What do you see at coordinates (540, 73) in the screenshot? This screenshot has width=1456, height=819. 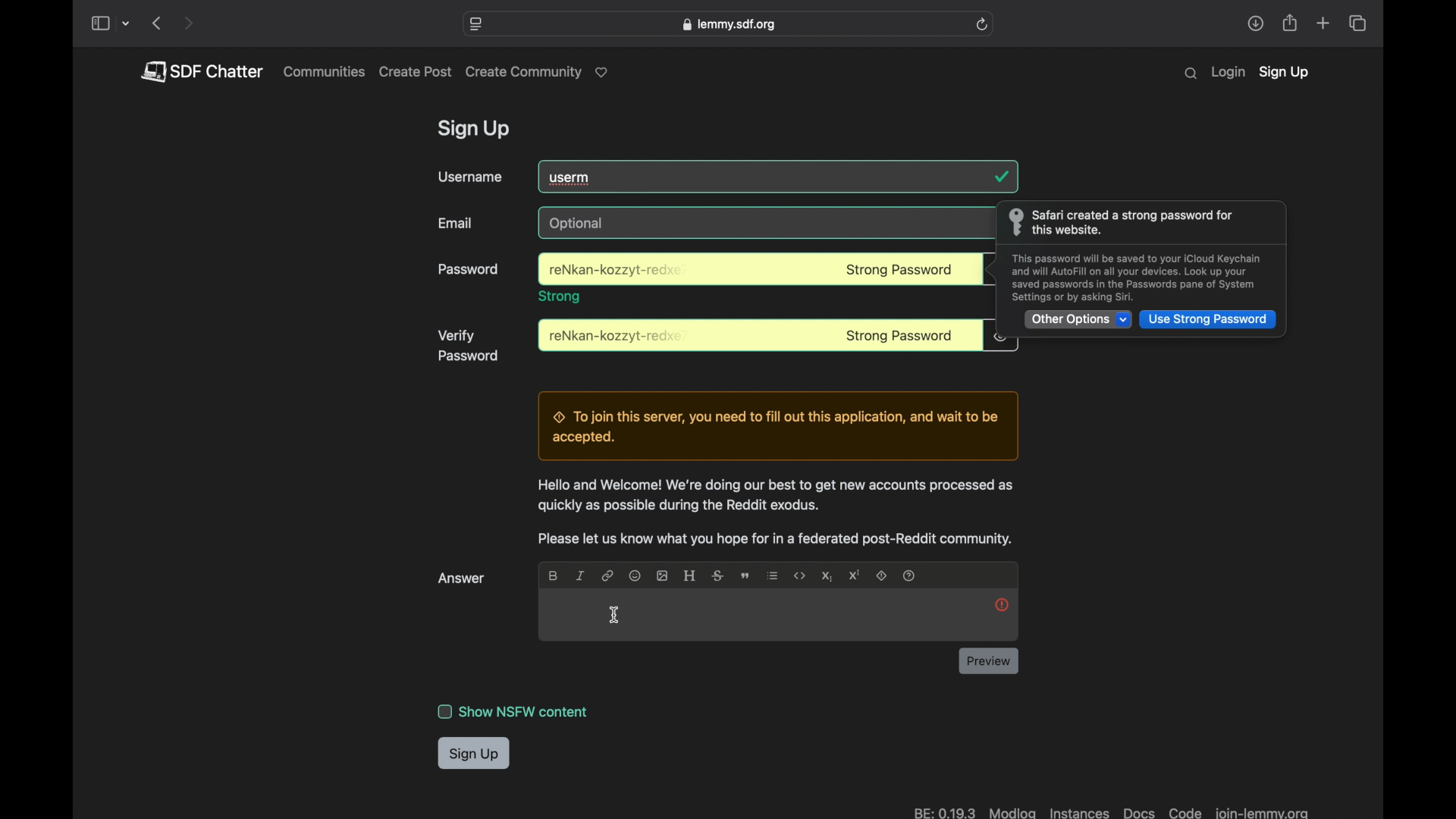 I see `create community` at bounding box center [540, 73].